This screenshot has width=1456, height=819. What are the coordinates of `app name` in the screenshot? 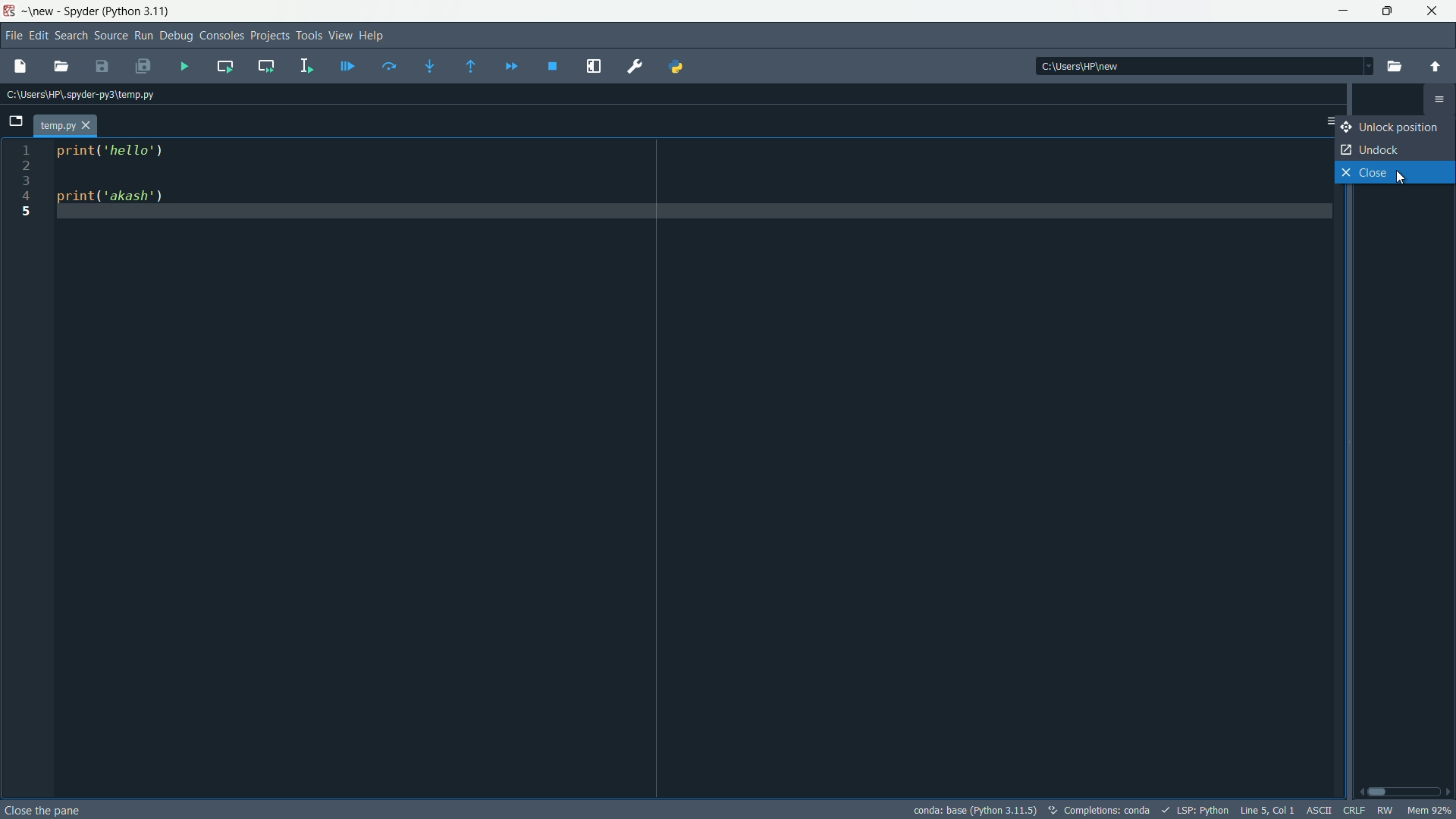 It's located at (80, 12).